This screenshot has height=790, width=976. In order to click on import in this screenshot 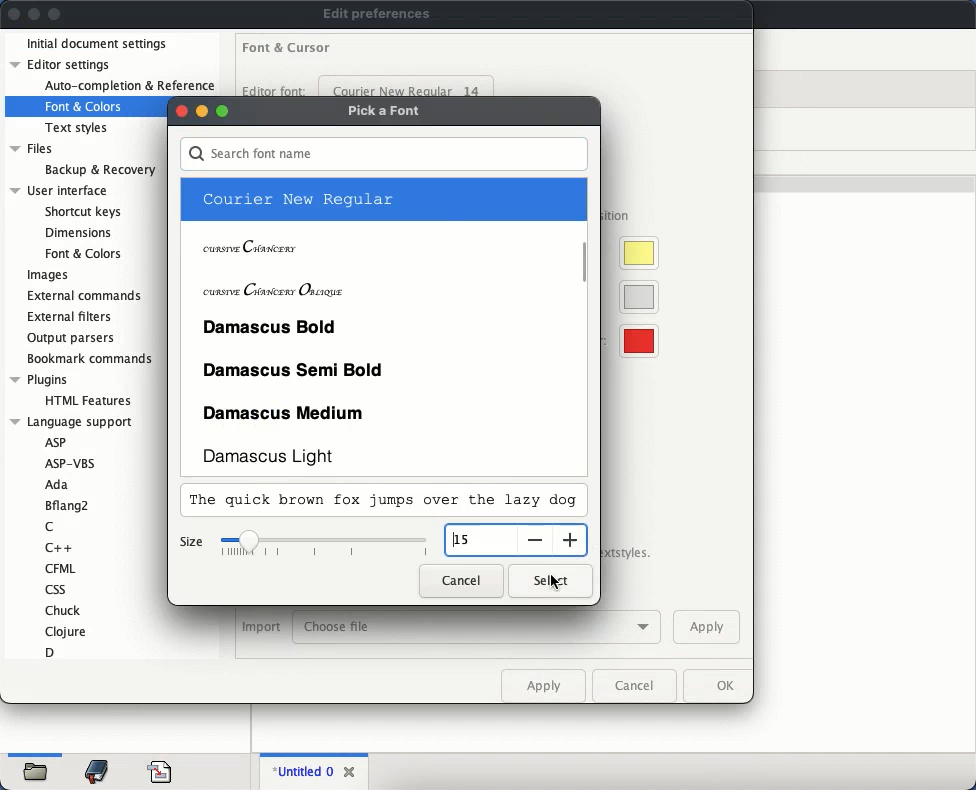, I will do `click(261, 628)`.